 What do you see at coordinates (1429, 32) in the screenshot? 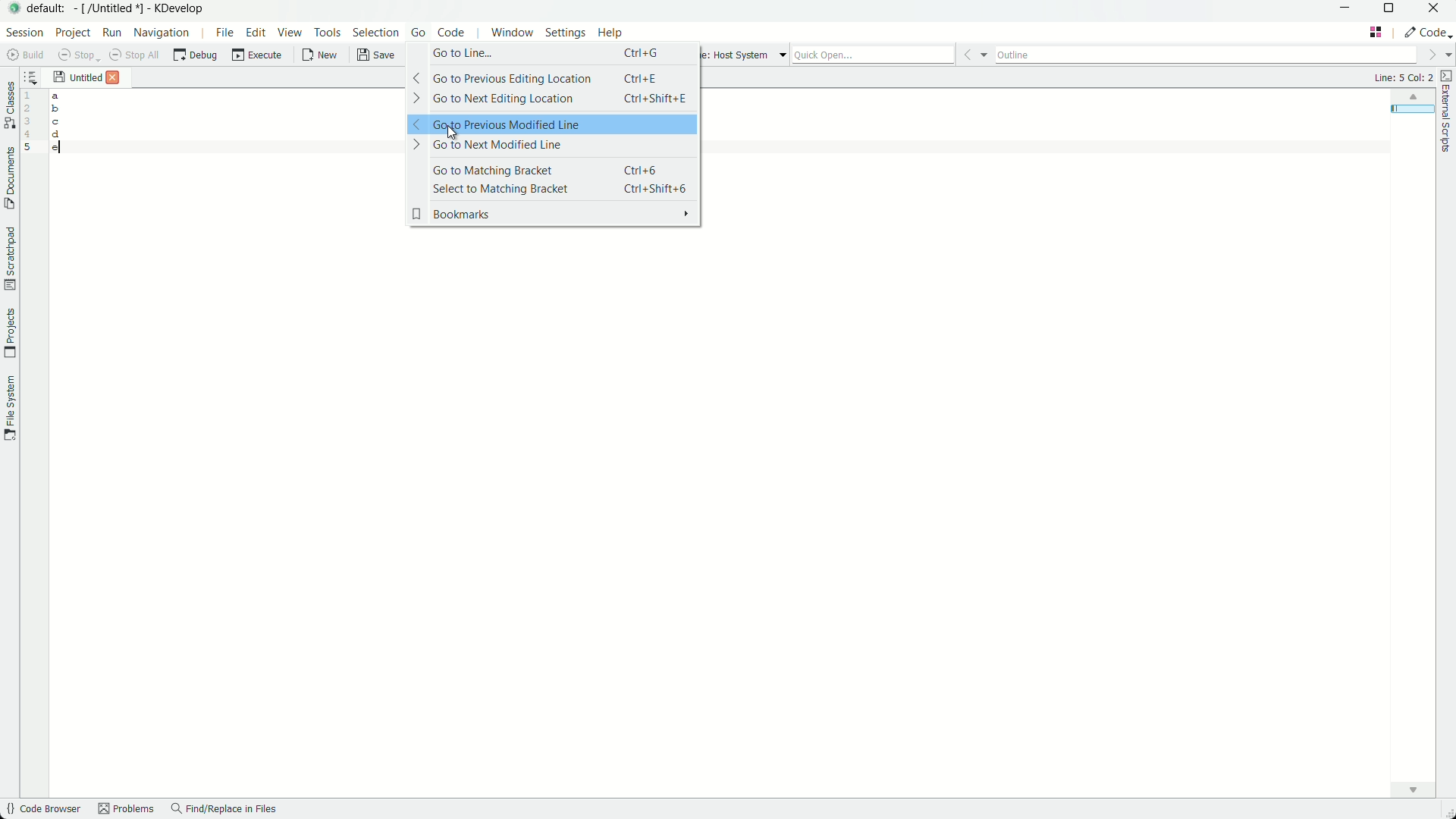
I see `execute actions to change the area` at bounding box center [1429, 32].